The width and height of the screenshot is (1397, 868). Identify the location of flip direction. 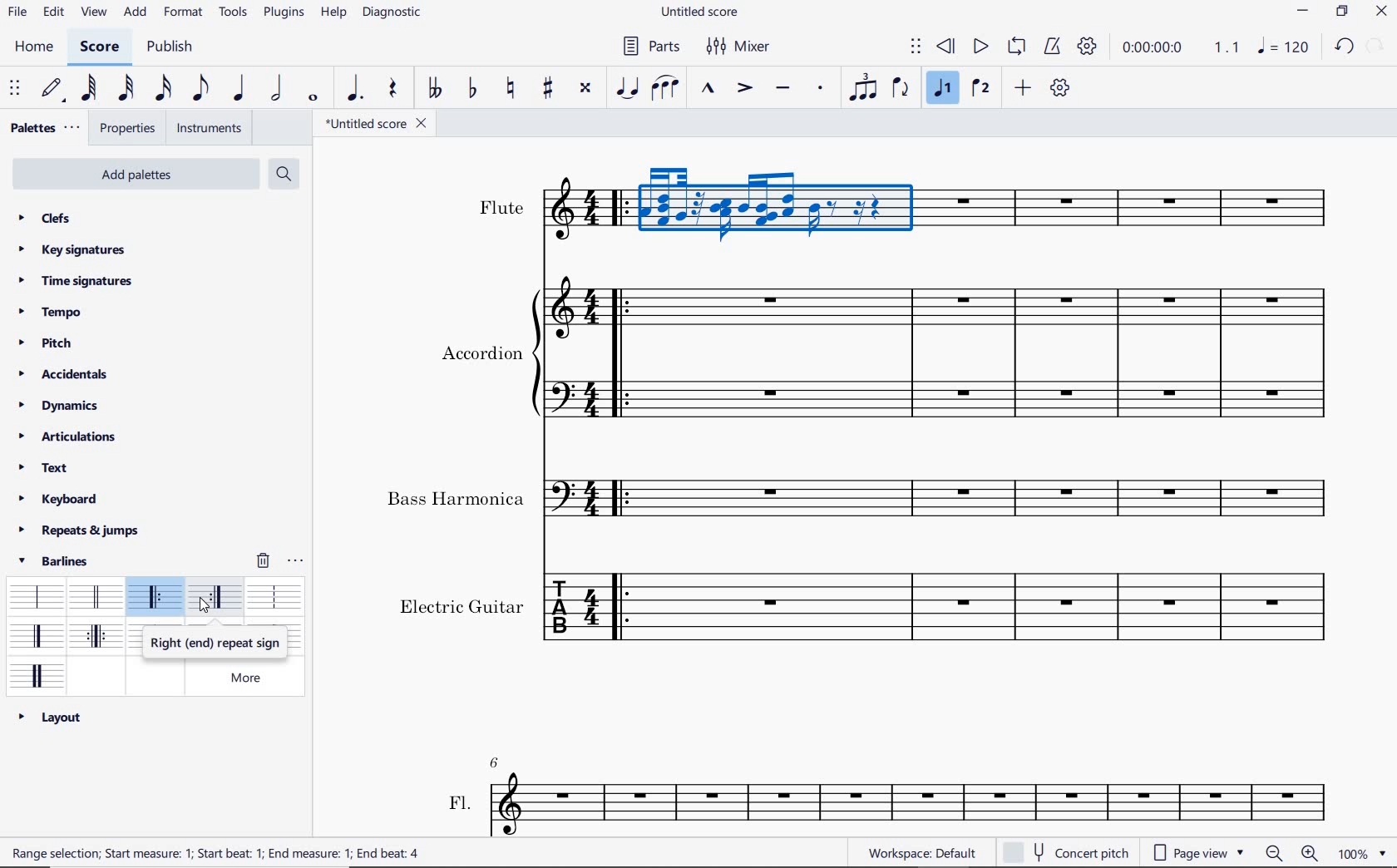
(901, 89).